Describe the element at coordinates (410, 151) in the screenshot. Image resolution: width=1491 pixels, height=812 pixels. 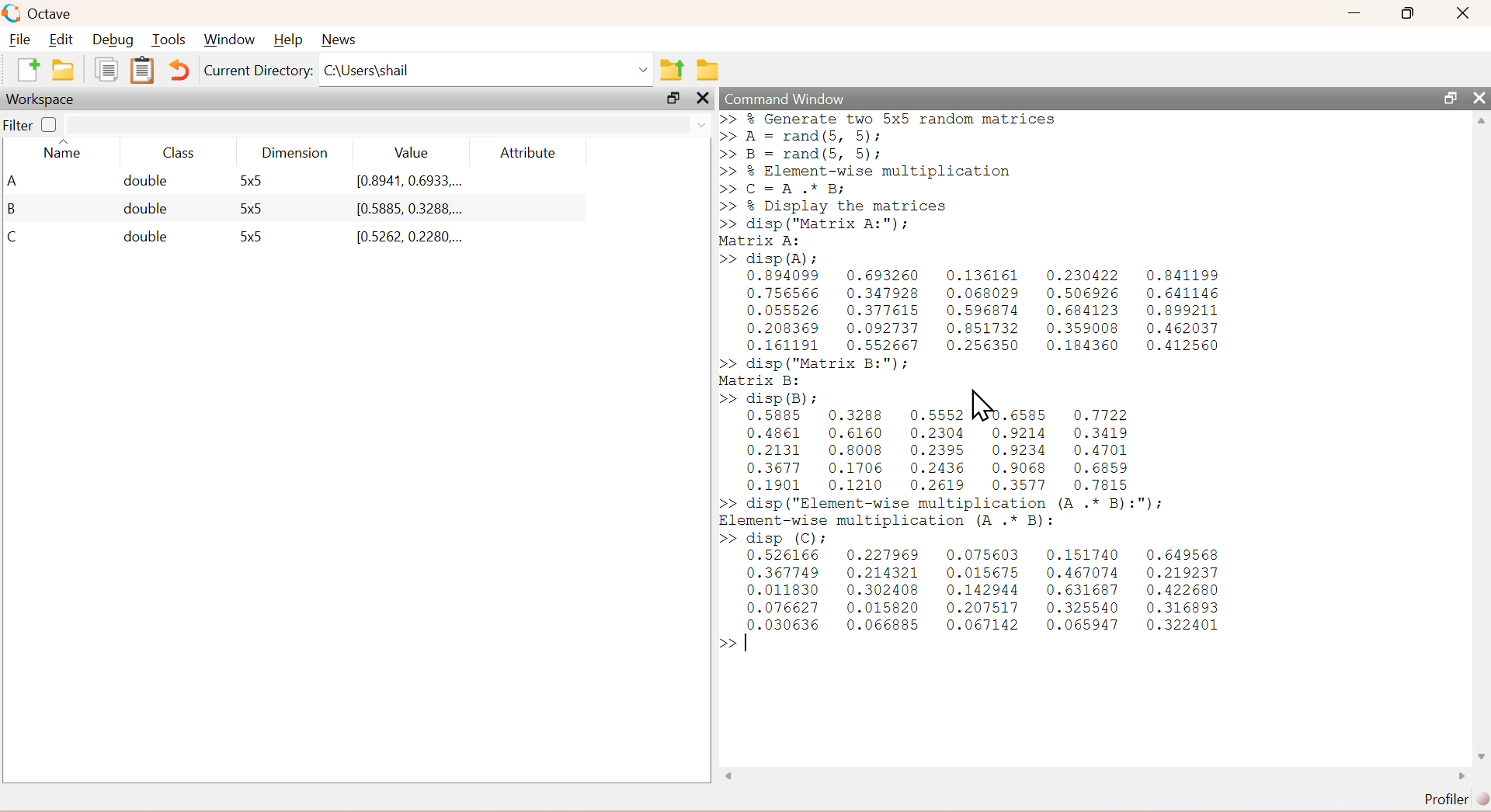
I see `Value` at that location.